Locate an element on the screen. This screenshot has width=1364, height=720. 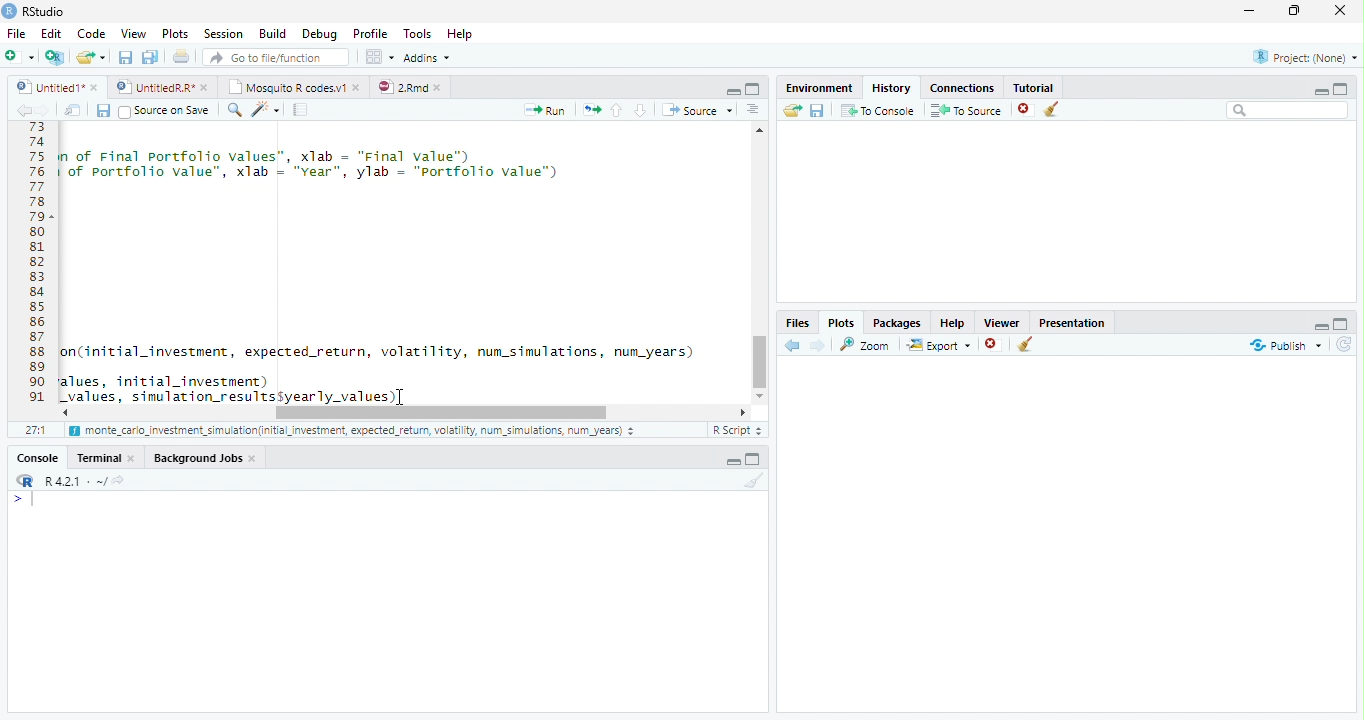
Refresh List is located at coordinates (1345, 345).